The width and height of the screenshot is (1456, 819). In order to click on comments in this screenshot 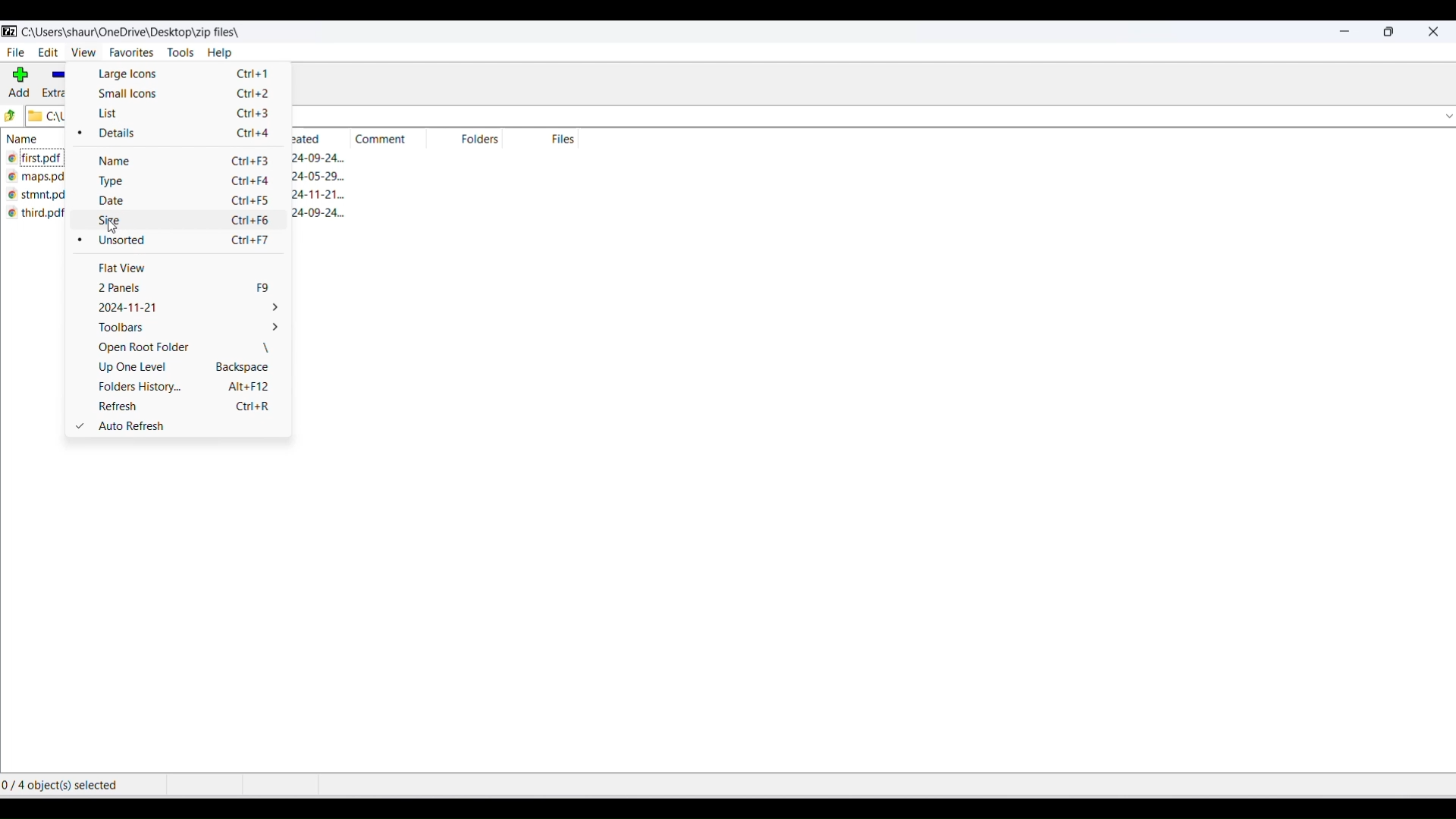, I will do `click(380, 140)`.